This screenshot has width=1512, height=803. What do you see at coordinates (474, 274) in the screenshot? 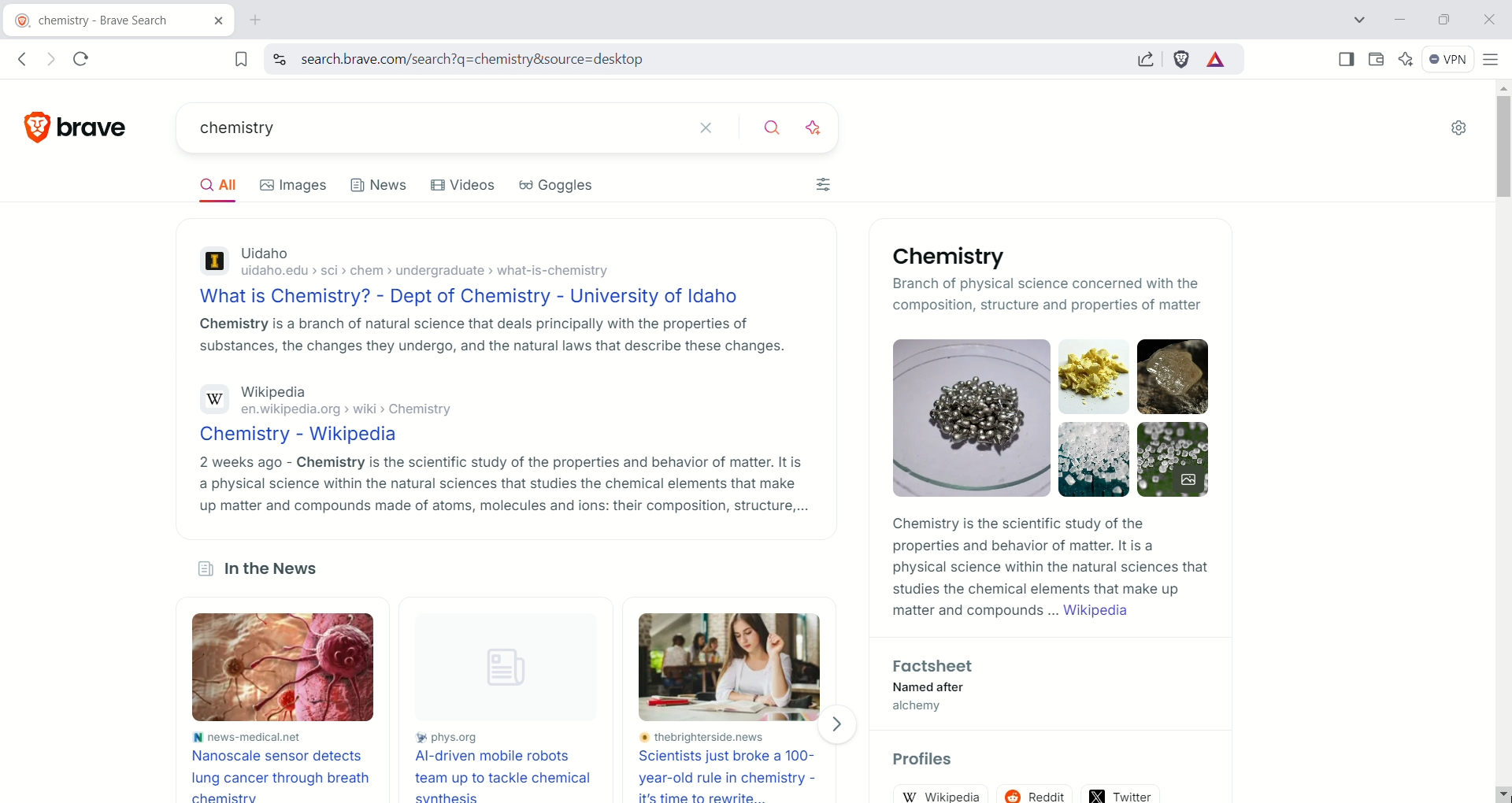
I see `Uidaho uidaho.edu › sci › chem › undergraduate › what-is-chemistry What is Chemistry? - Dept of Chemistry - University of Idaho` at bounding box center [474, 274].